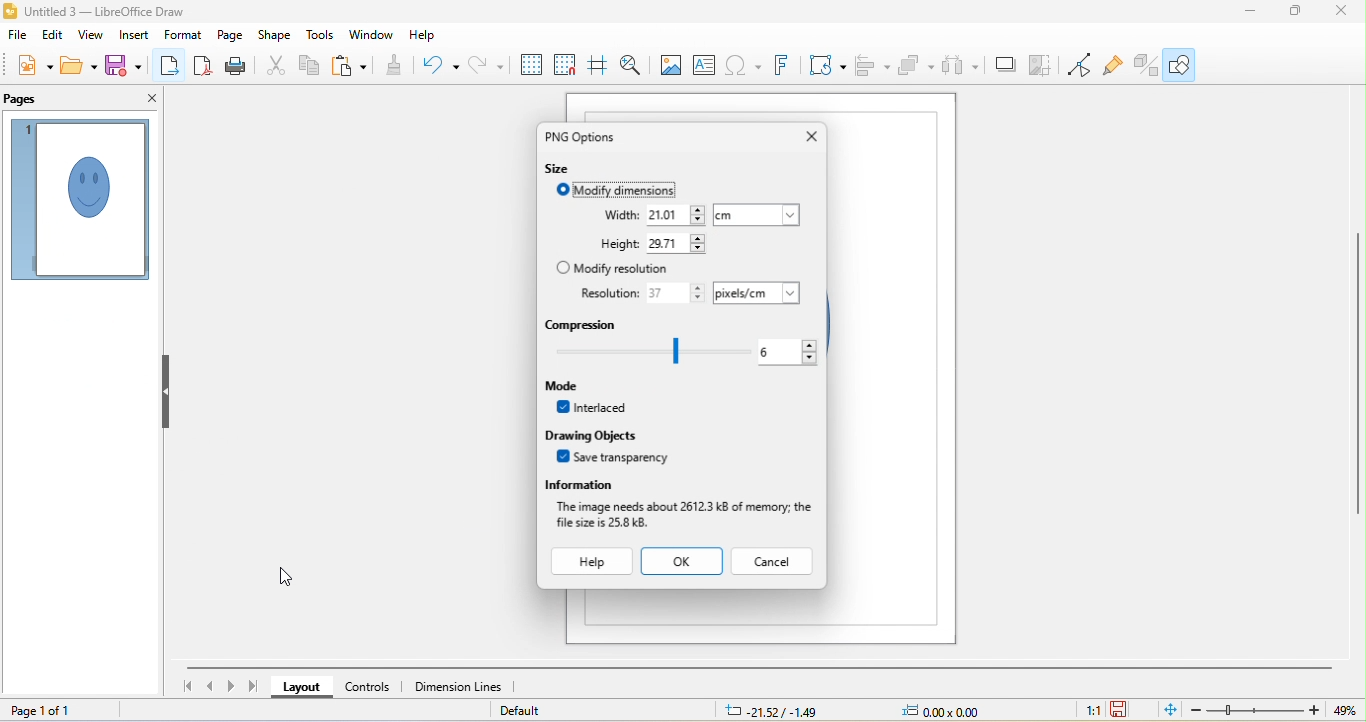 The image size is (1366, 722). Describe the element at coordinates (561, 169) in the screenshot. I see `size` at that location.